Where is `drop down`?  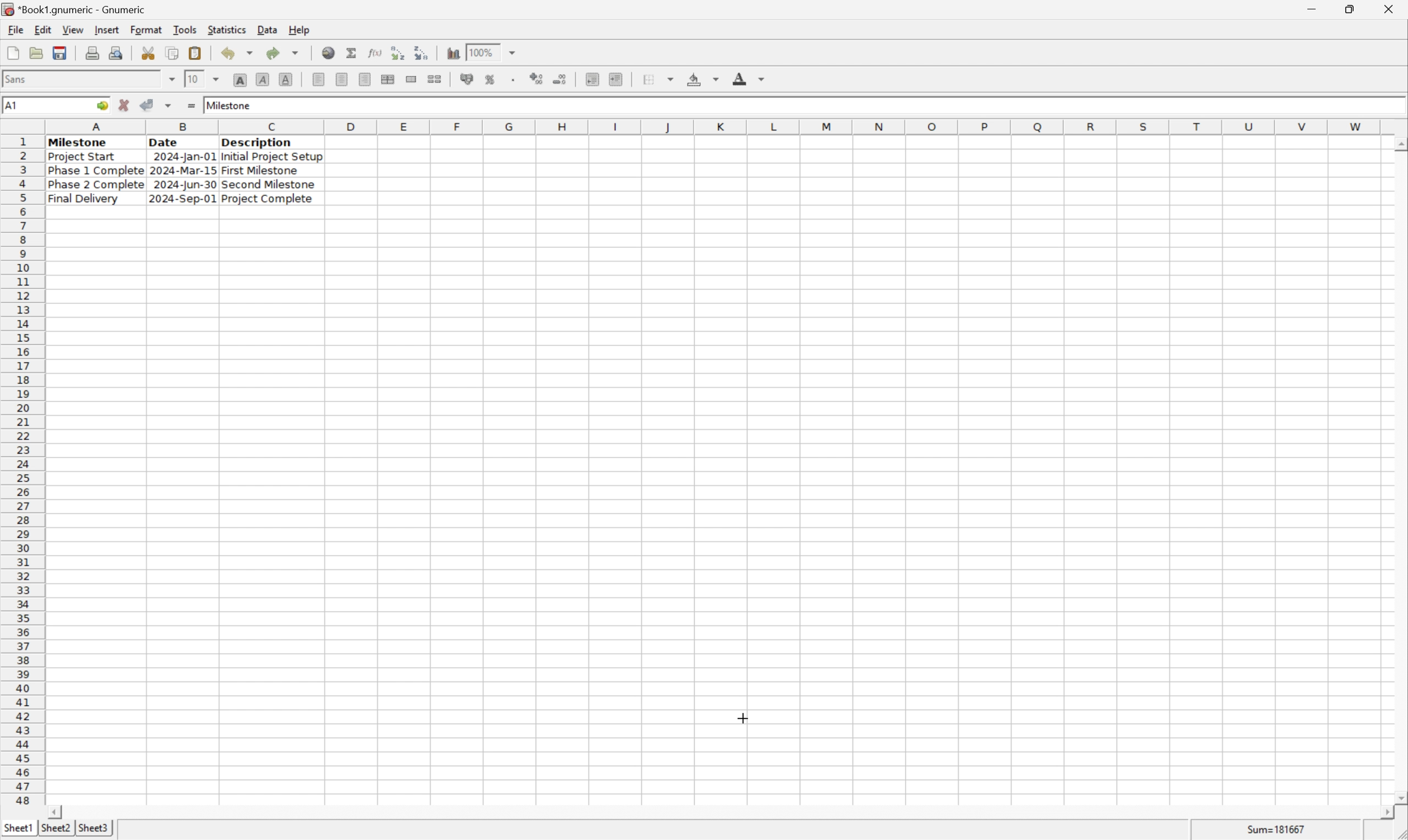
drop down is located at coordinates (217, 78).